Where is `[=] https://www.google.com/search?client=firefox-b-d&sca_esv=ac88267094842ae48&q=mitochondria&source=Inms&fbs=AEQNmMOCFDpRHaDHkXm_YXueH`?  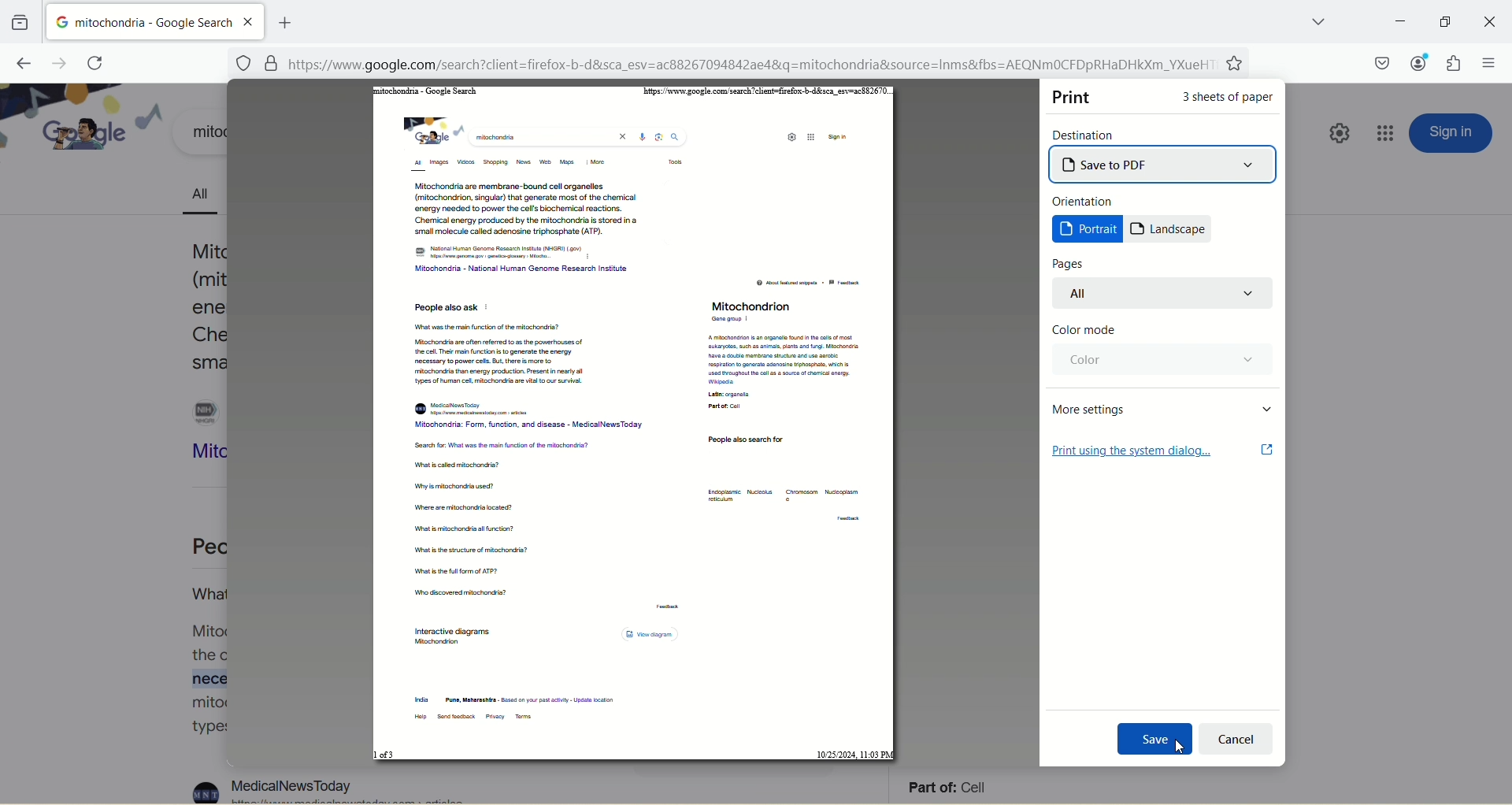
[=] https://www.google.com/search?client=firefox-b-d&sca_esv=ac88267094842ae48&q=mitochondria&source=Inms&fbs=AEQNmMOCFDpRHaDHkXm_YXueH is located at coordinates (725, 65).